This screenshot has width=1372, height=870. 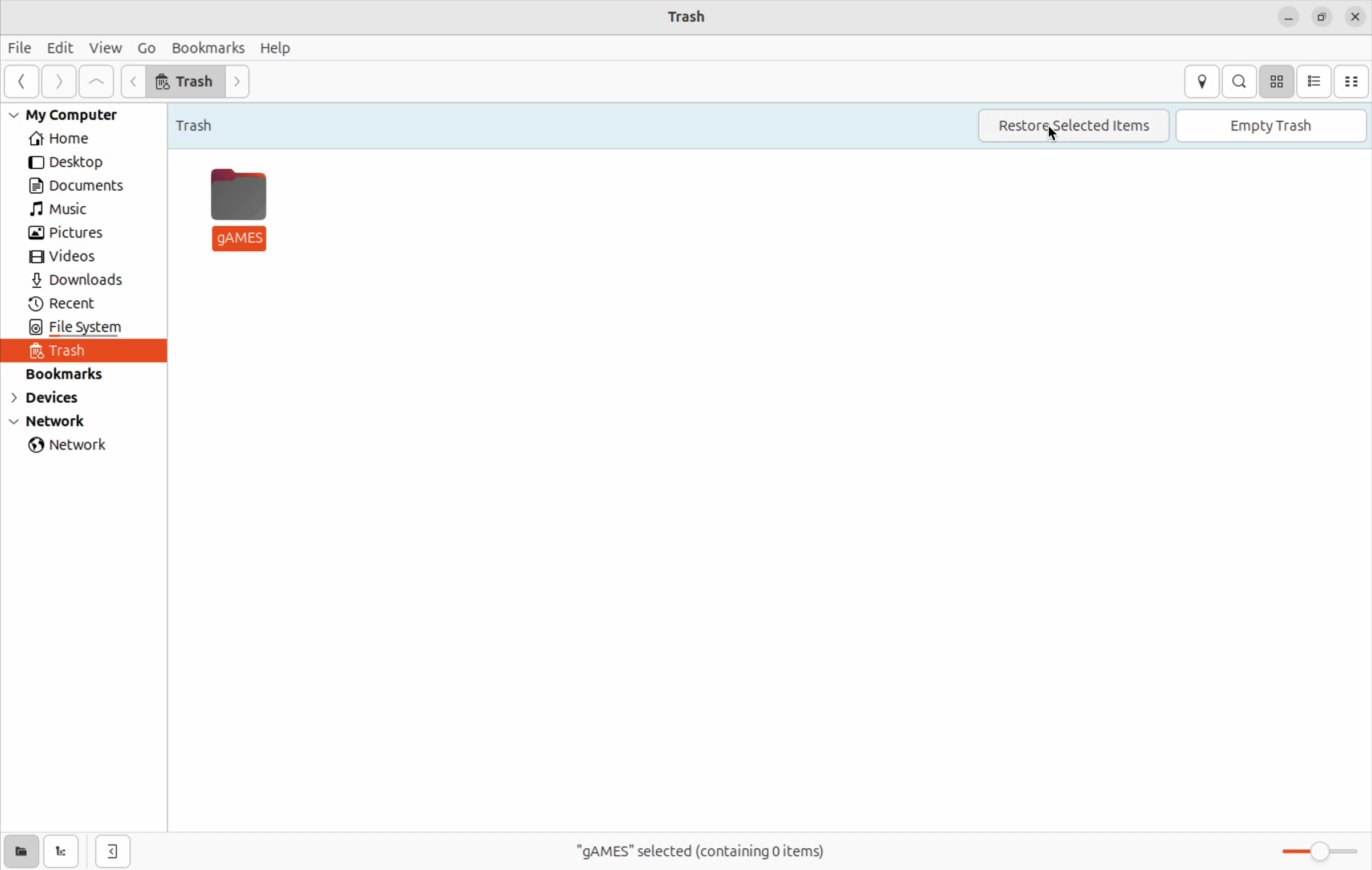 I want to click on Edit, so click(x=61, y=47).